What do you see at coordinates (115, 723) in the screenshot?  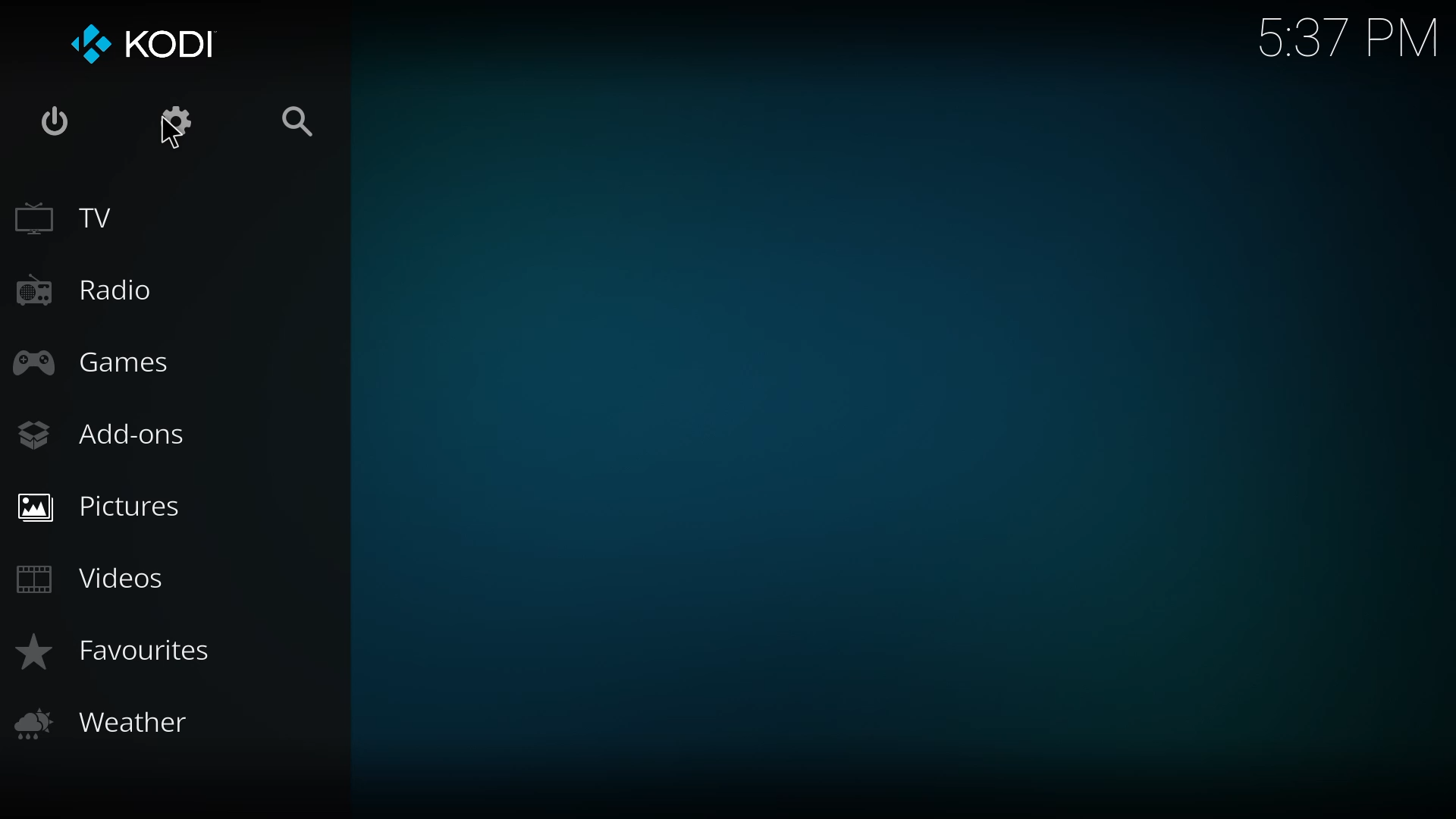 I see `weather` at bounding box center [115, 723].